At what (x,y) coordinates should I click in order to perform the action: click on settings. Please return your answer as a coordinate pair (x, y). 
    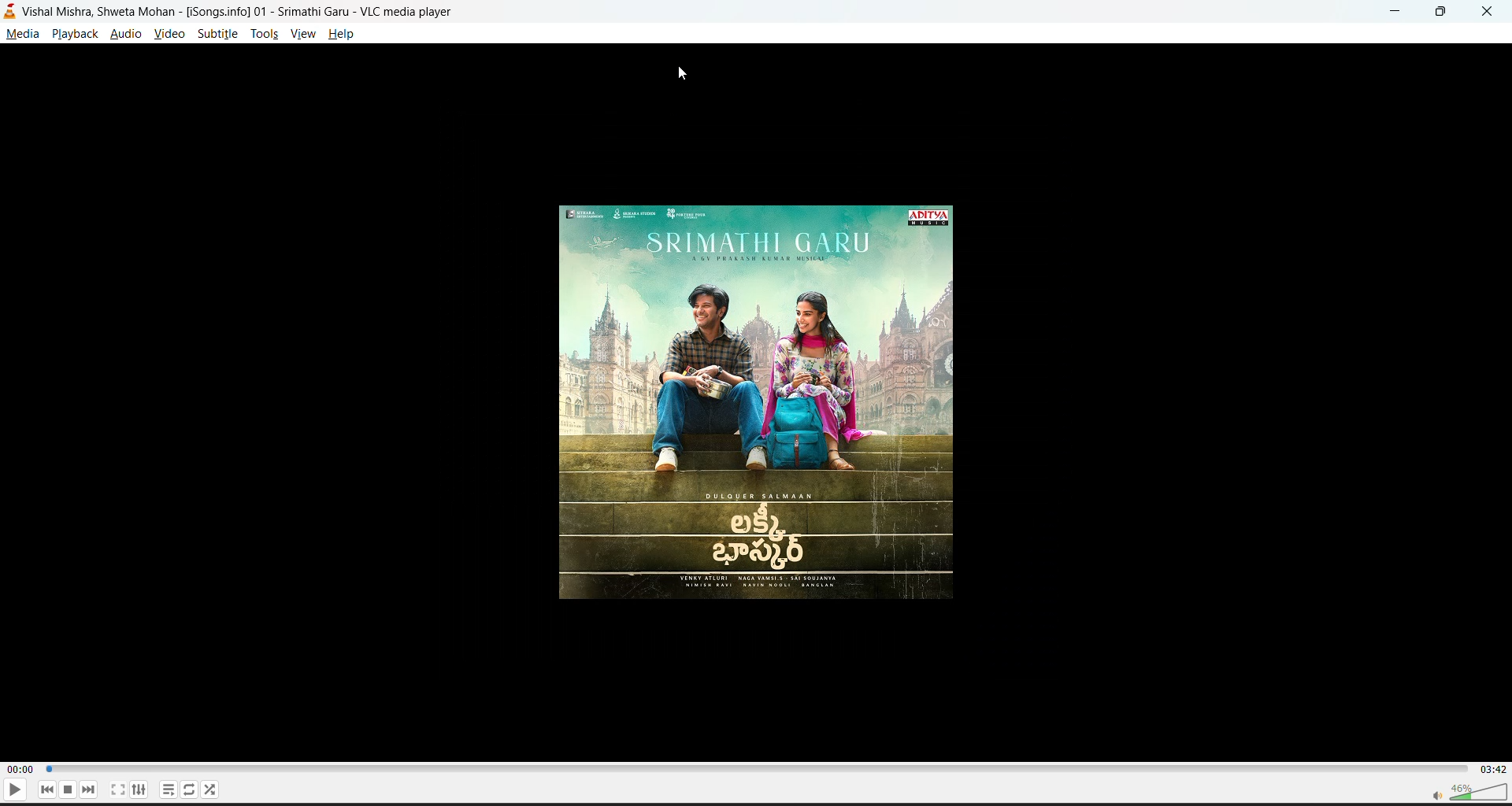
    Looking at the image, I should click on (137, 790).